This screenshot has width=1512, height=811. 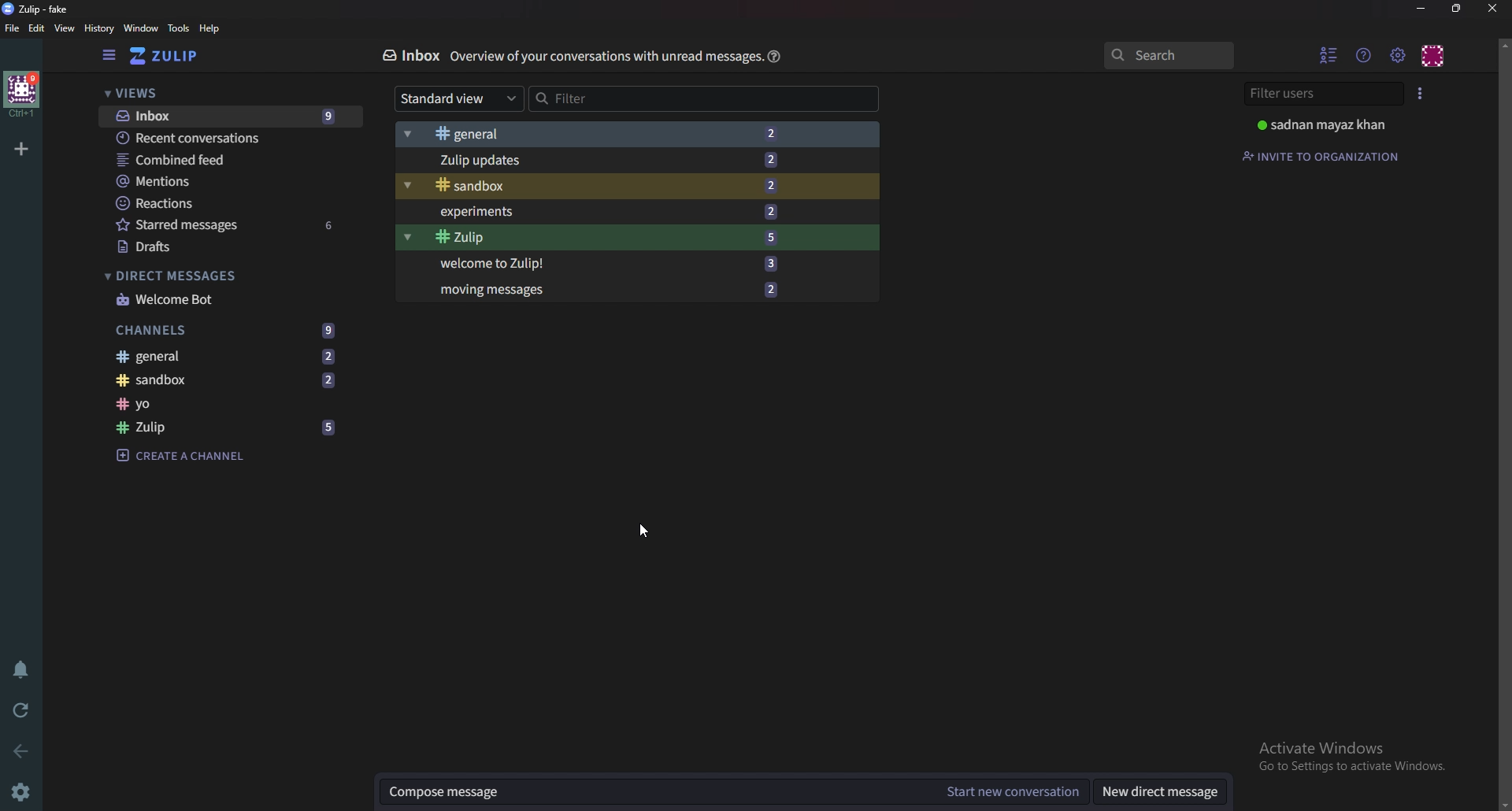 I want to click on Window, so click(x=140, y=29).